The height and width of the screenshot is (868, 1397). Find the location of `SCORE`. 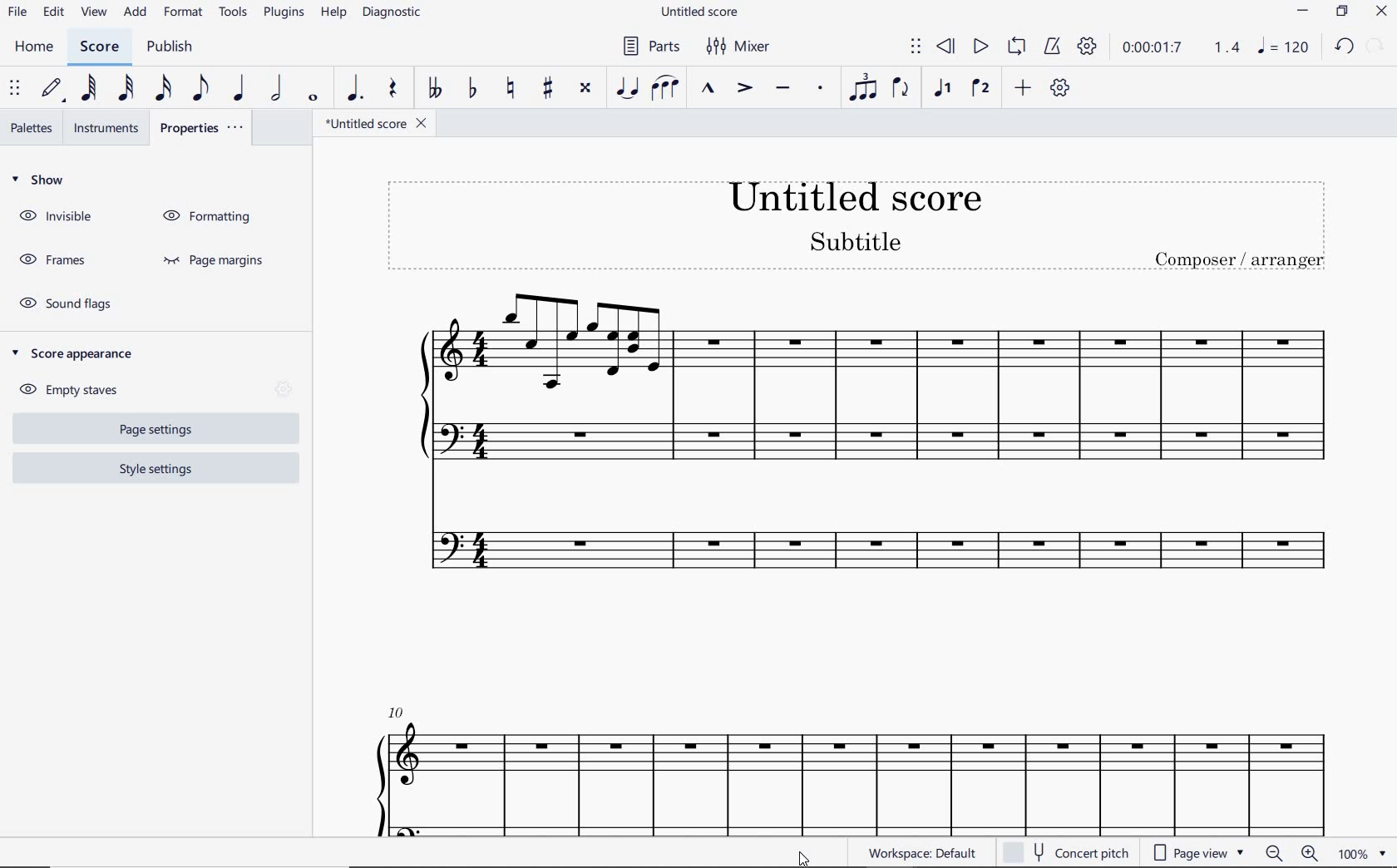

SCORE is located at coordinates (100, 47).